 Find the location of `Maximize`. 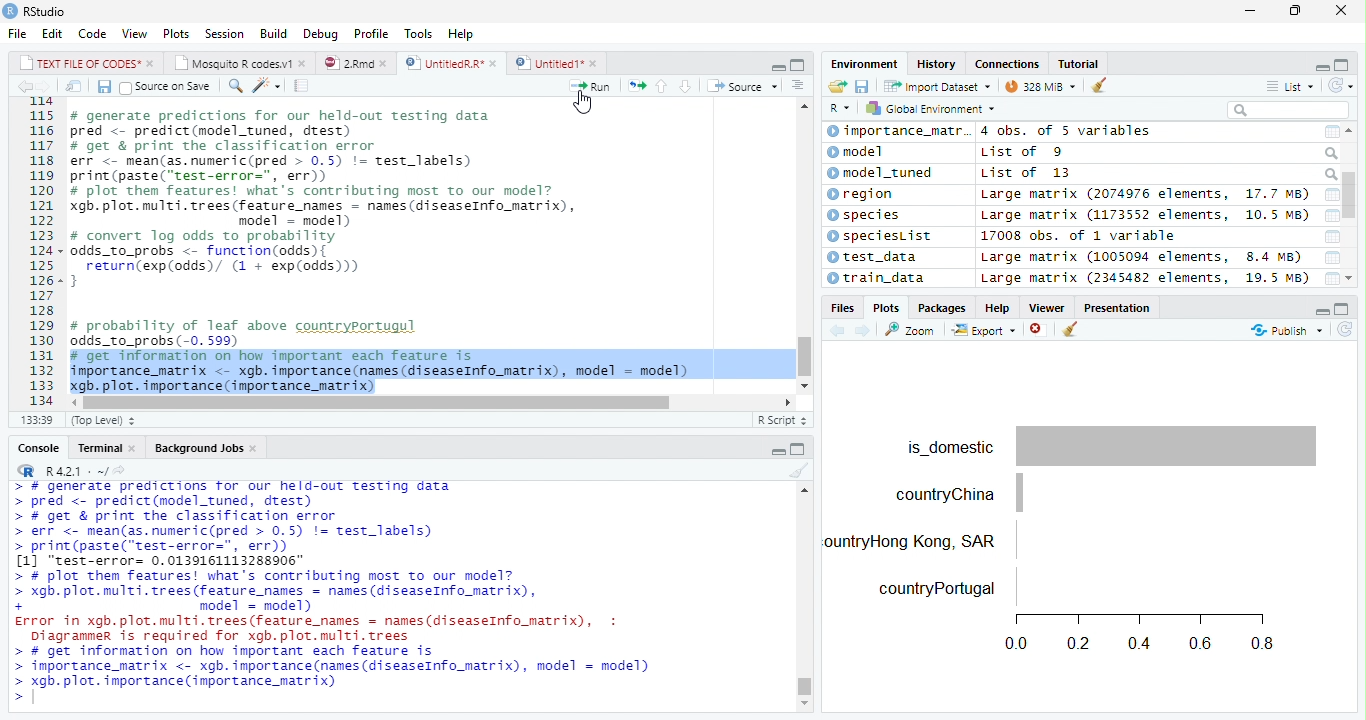

Maximize is located at coordinates (1345, 63).